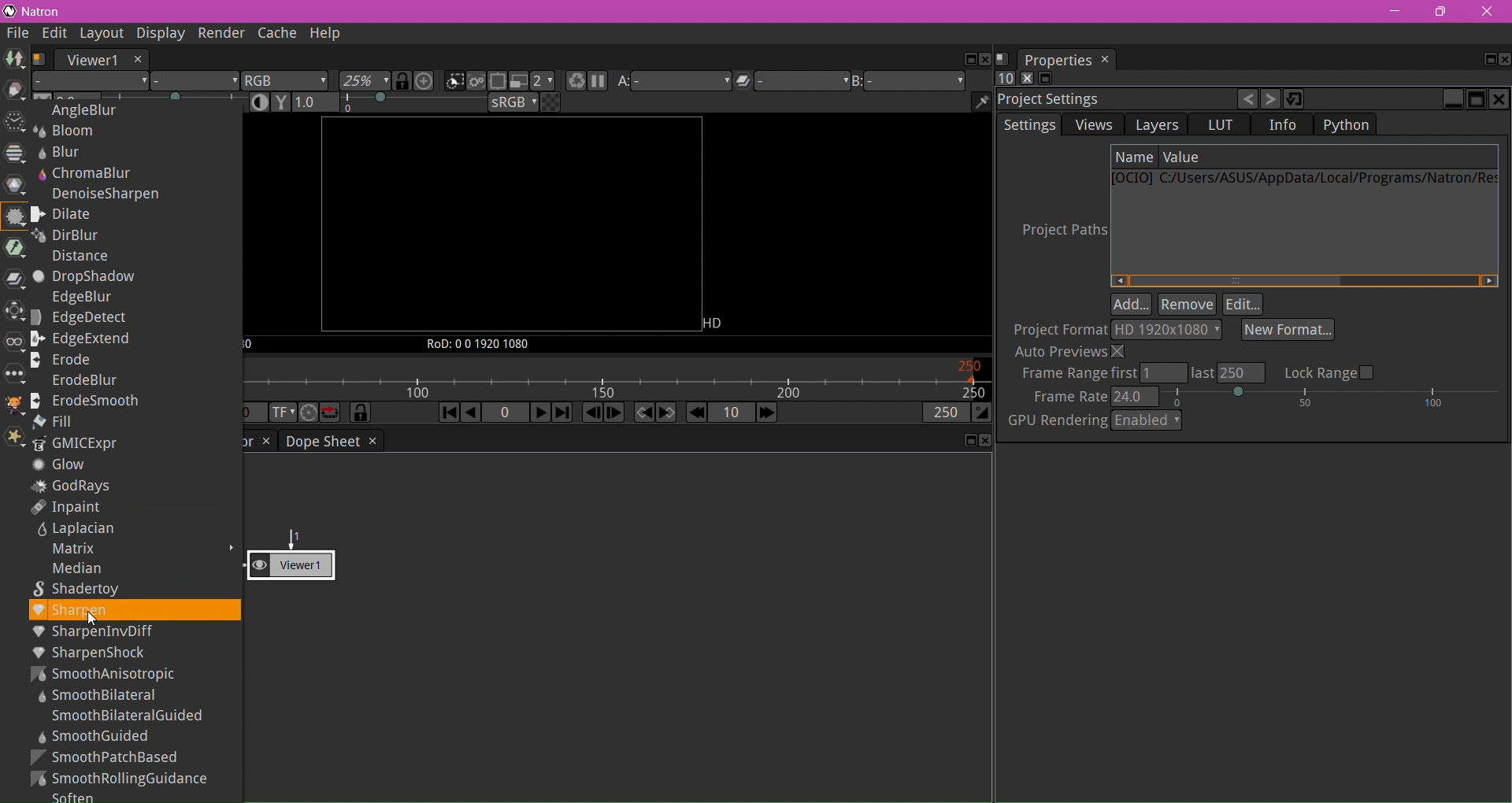  Describe the element at coordinates (14, 60) in the screenshot. I see `Image` at that location.